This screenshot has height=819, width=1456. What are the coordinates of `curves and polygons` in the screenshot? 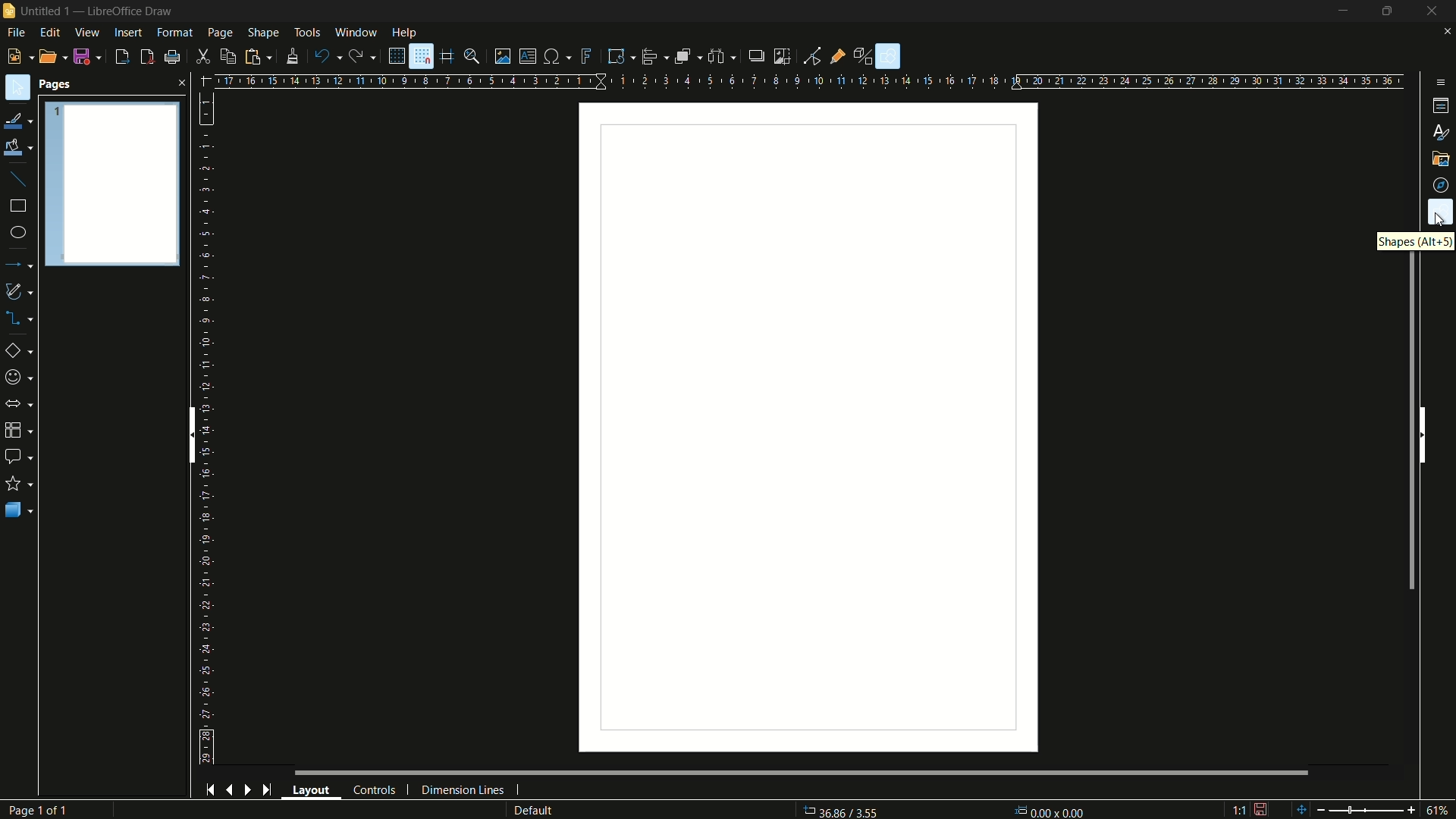 It's located at (21, 292).